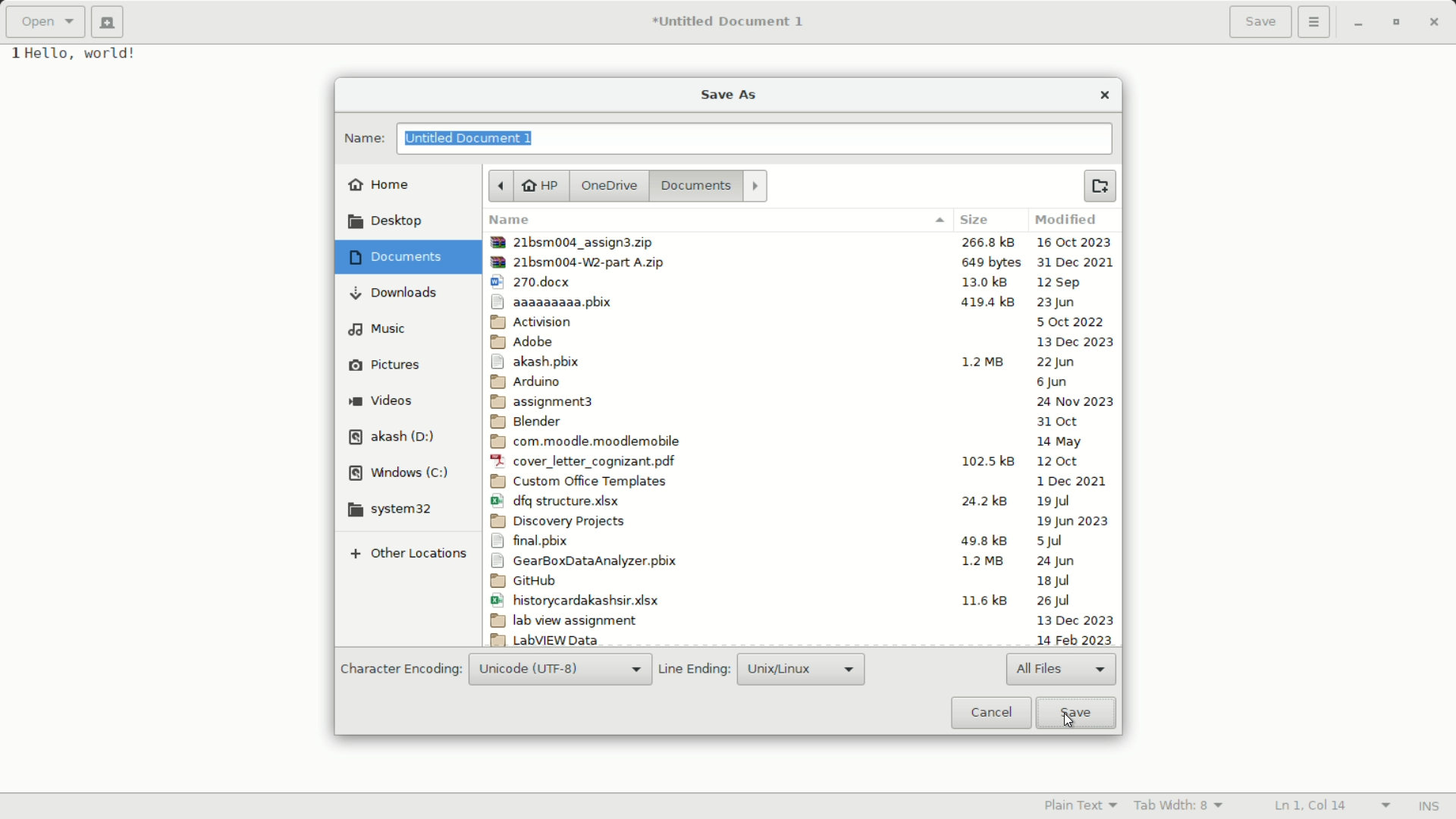 This screenshot has height=819, width=1456. I want to click on save, so click(1075, 712).